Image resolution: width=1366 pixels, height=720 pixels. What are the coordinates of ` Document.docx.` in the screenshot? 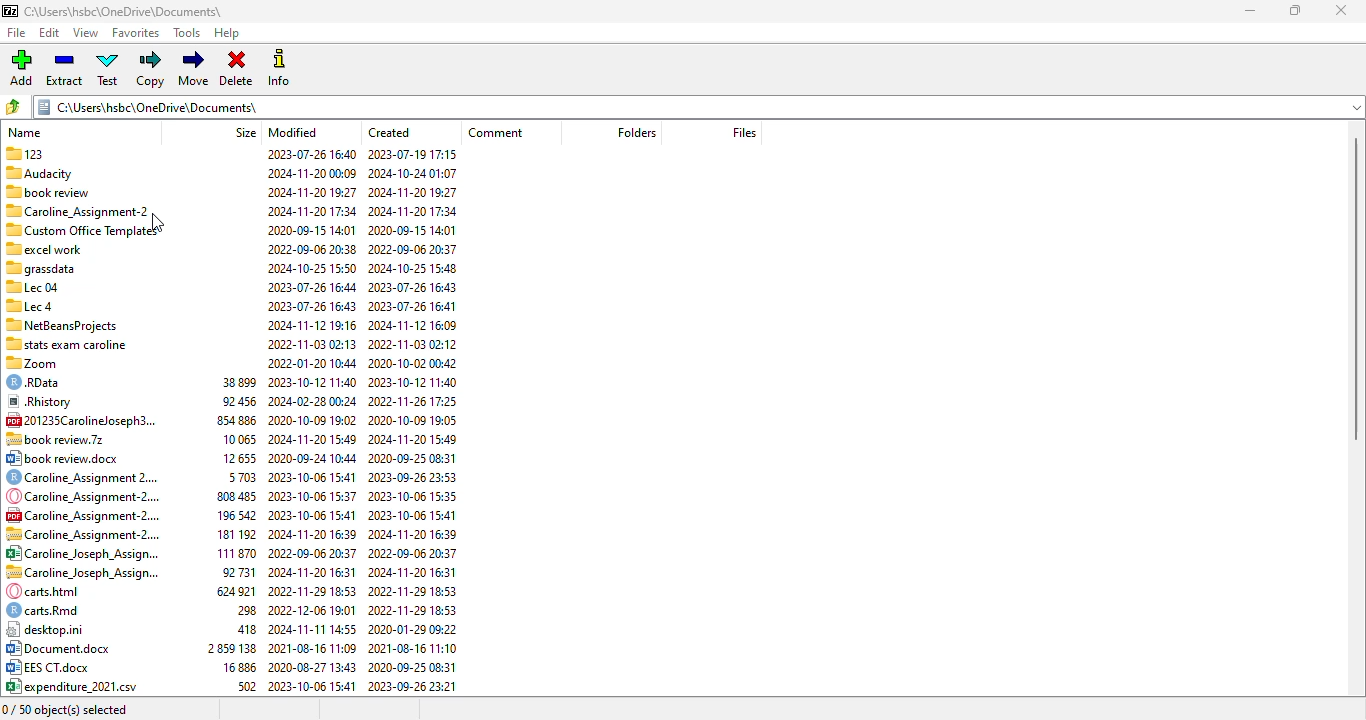 It's located at (62, 647).